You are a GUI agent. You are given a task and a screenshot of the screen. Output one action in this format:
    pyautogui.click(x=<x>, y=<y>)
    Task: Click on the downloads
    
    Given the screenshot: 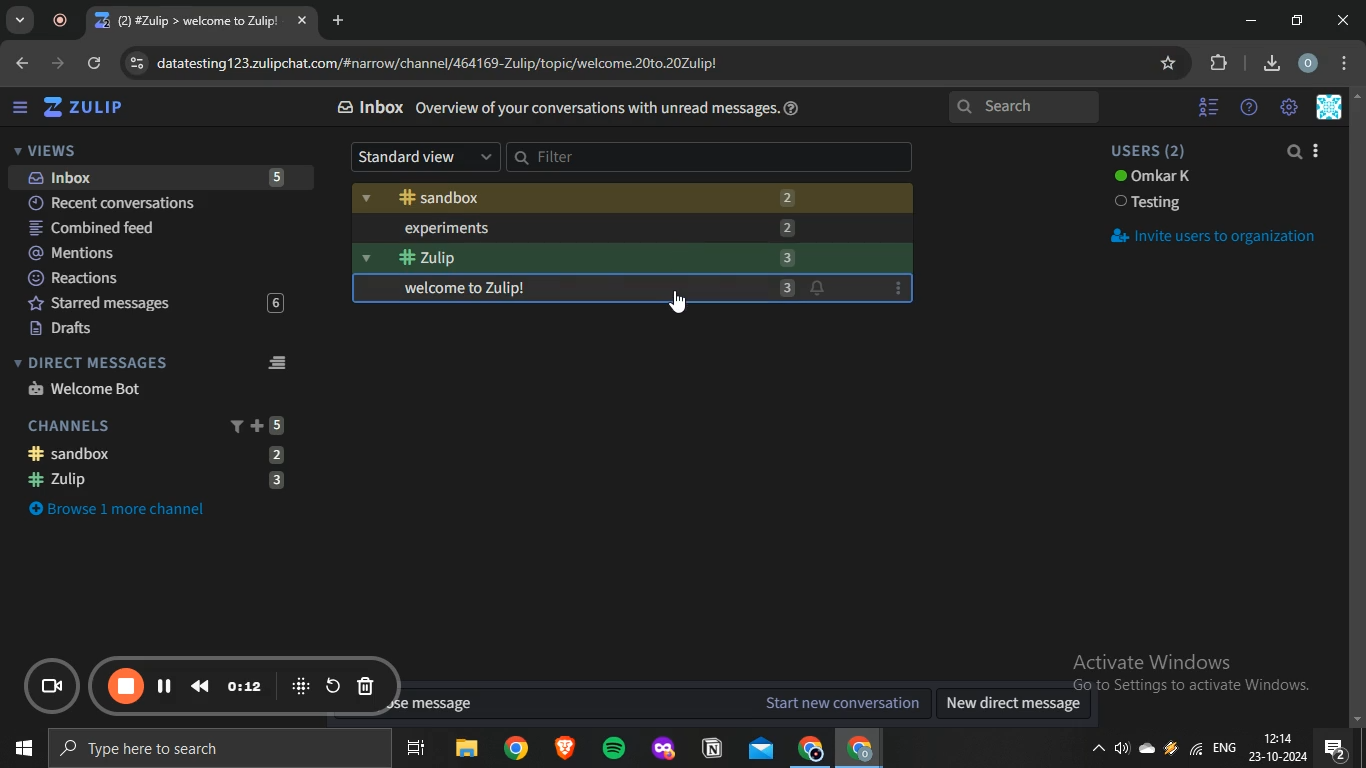 What is the action you would take?
    pyautogui.click(x=1271, y=61)
    